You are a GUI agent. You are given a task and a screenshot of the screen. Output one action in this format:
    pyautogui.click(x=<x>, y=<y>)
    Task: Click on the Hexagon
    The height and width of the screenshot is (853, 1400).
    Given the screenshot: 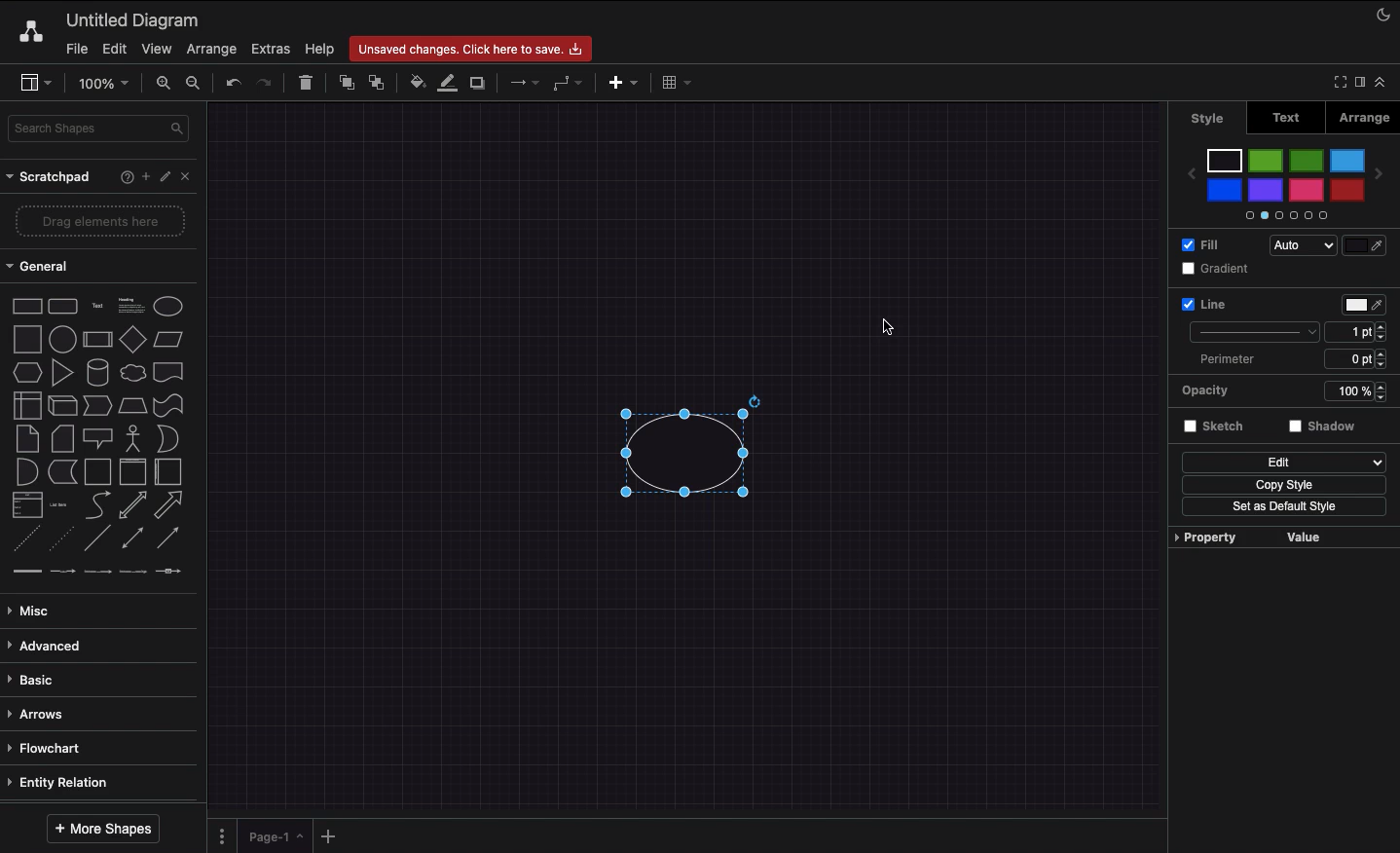 What is the action you would take?
    pyautogui.click(x=26, y=373)
    